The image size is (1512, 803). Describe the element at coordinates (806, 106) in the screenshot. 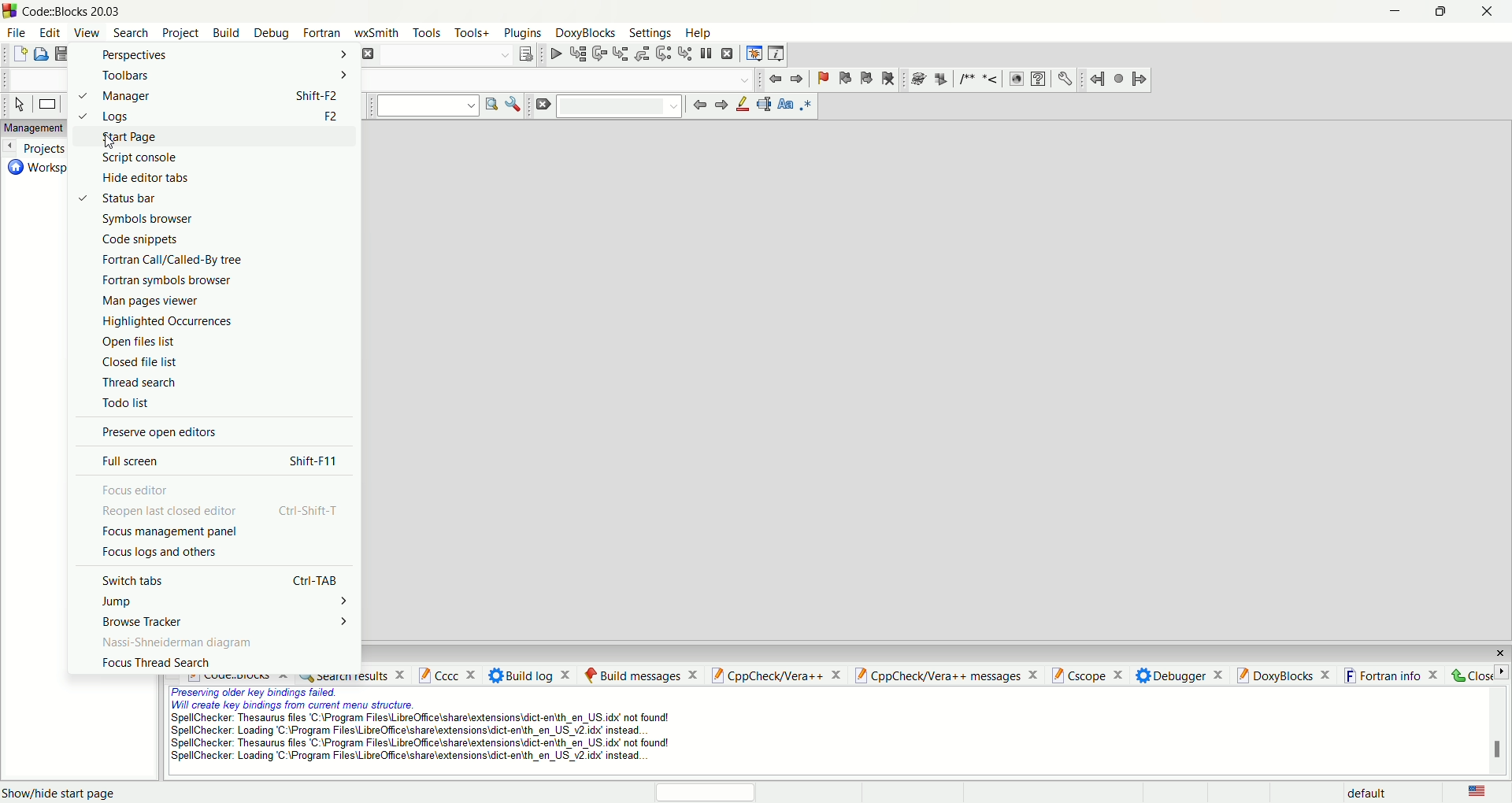

I see `regex` at that location.